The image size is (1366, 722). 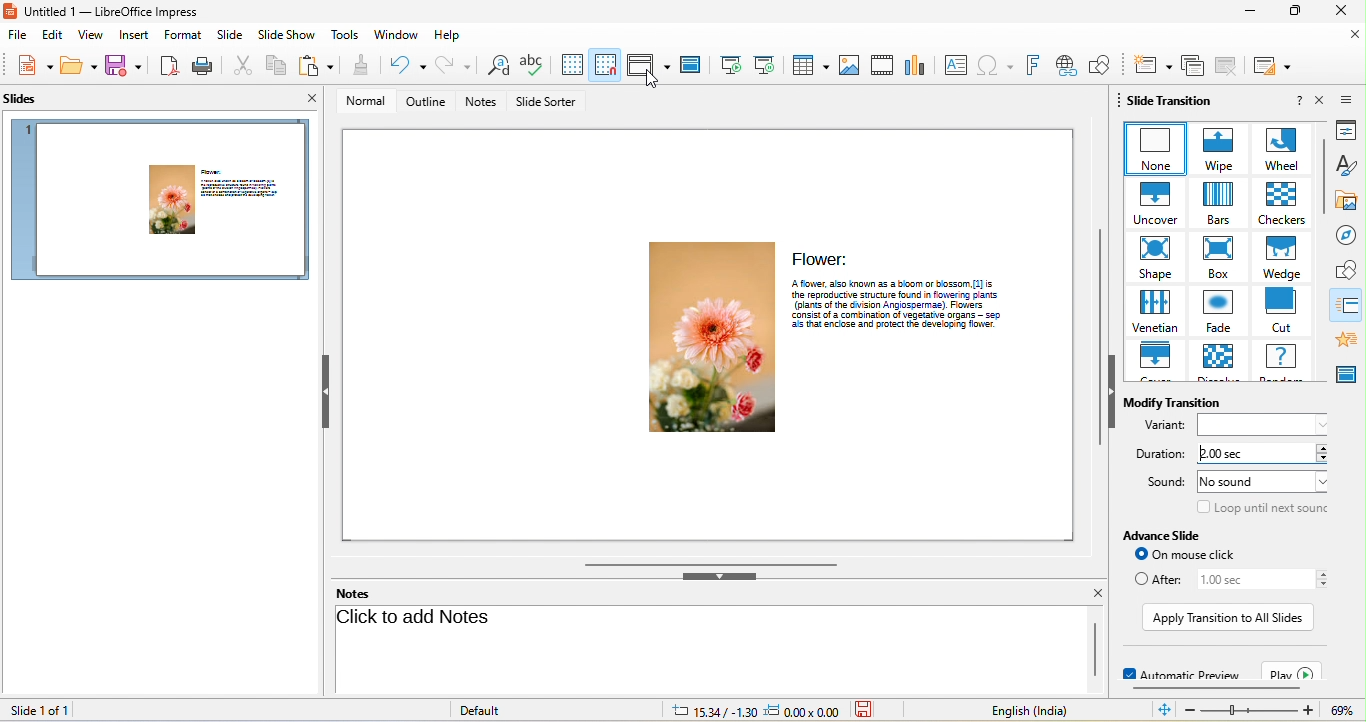 What do you see at coordinates (1153, 148) in the screenshot?
I see `none` at bounding box center [1153, 148].